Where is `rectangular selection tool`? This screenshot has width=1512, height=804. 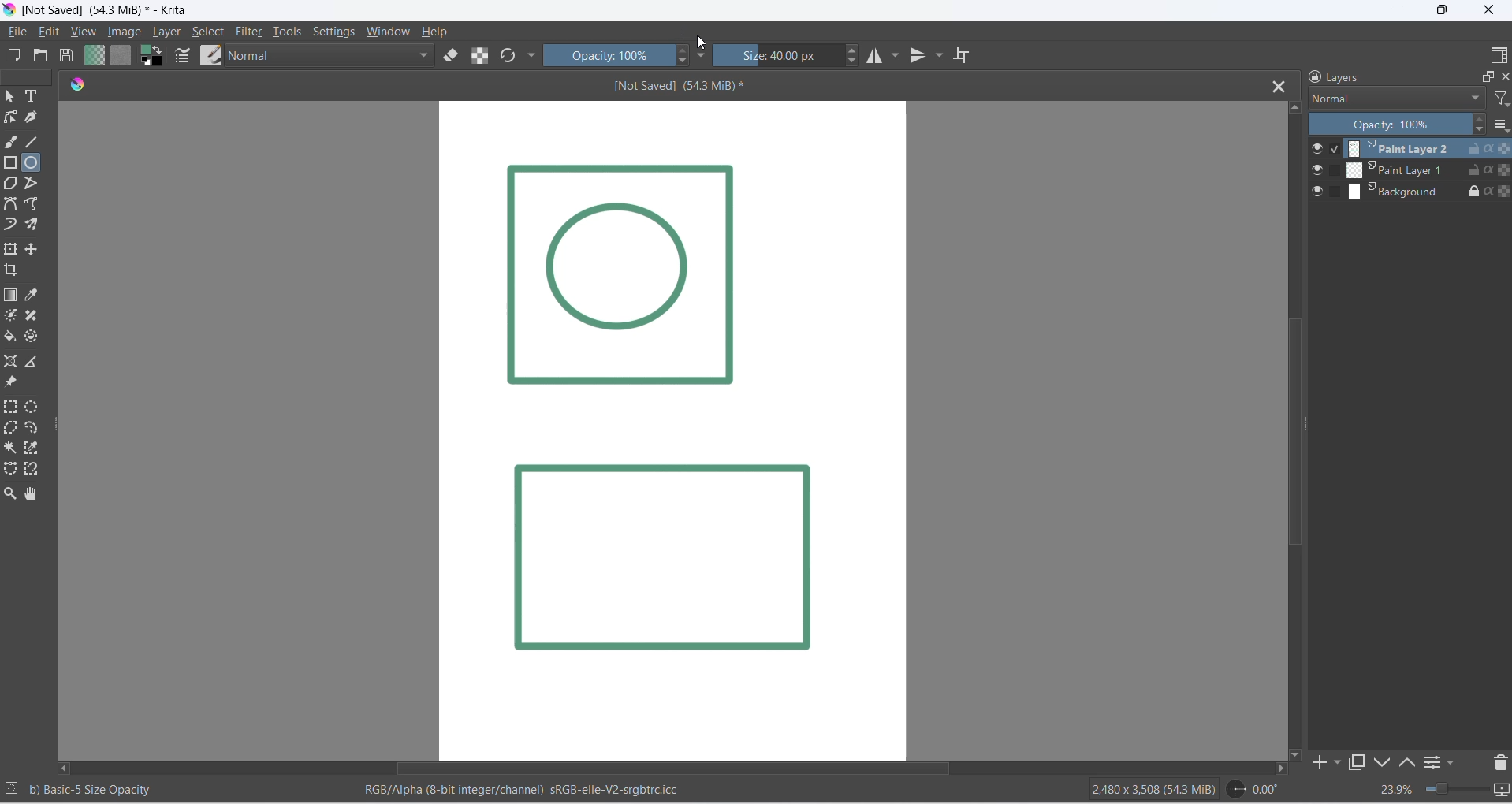
rectangular selection tool is located at coordinates (10, 408).